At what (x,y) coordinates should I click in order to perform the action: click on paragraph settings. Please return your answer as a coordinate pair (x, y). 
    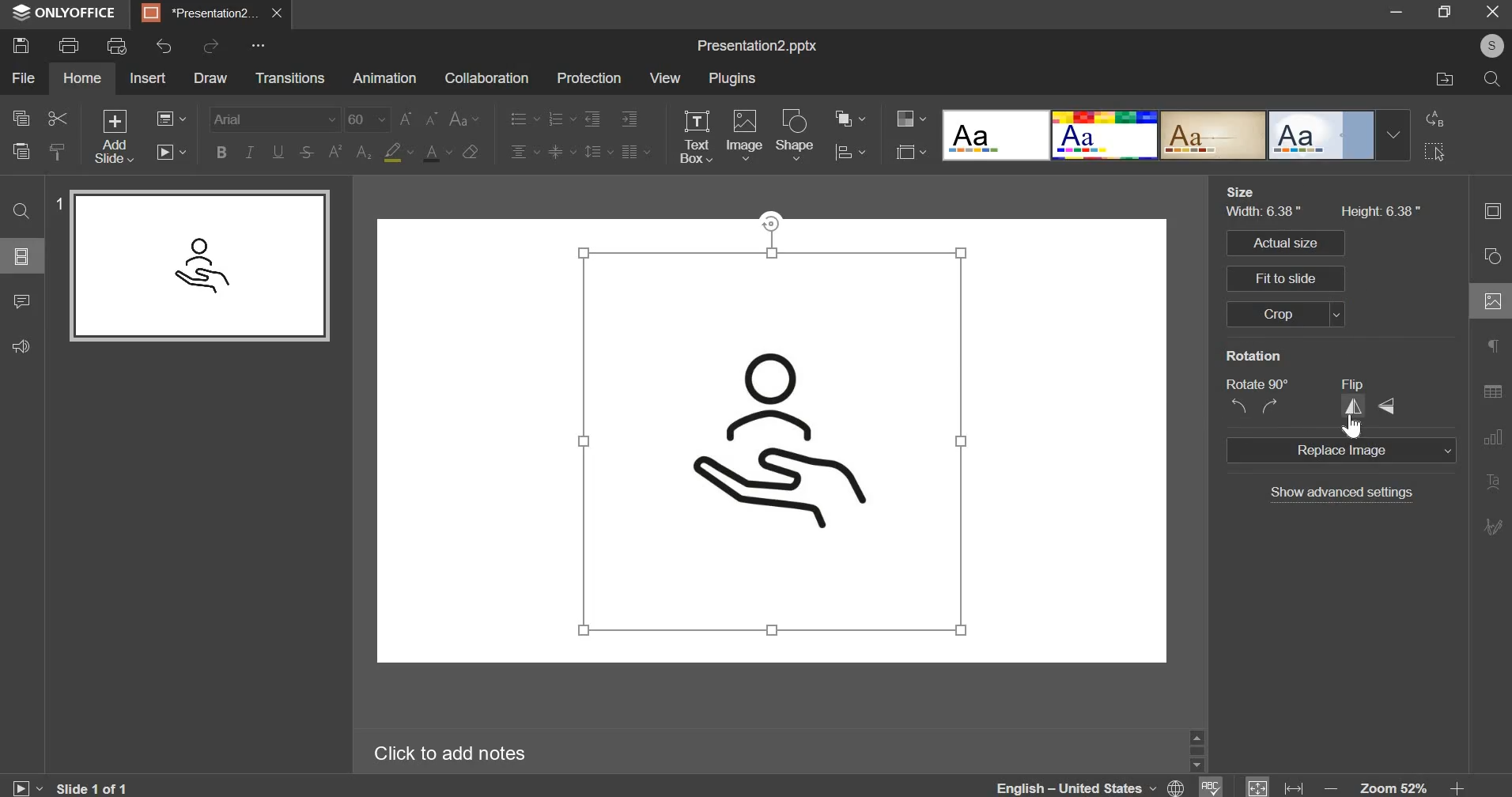
    Looking at the image, I should click on (1491, 348).